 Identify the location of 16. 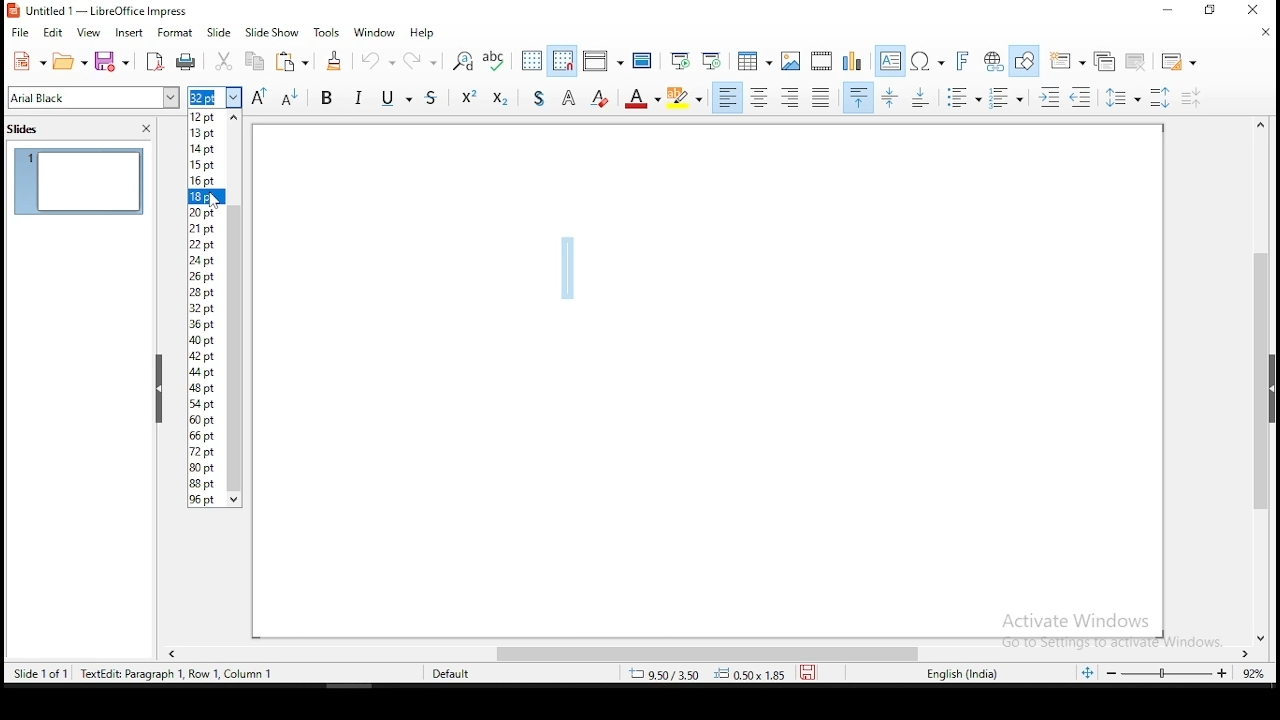
(206, 181).